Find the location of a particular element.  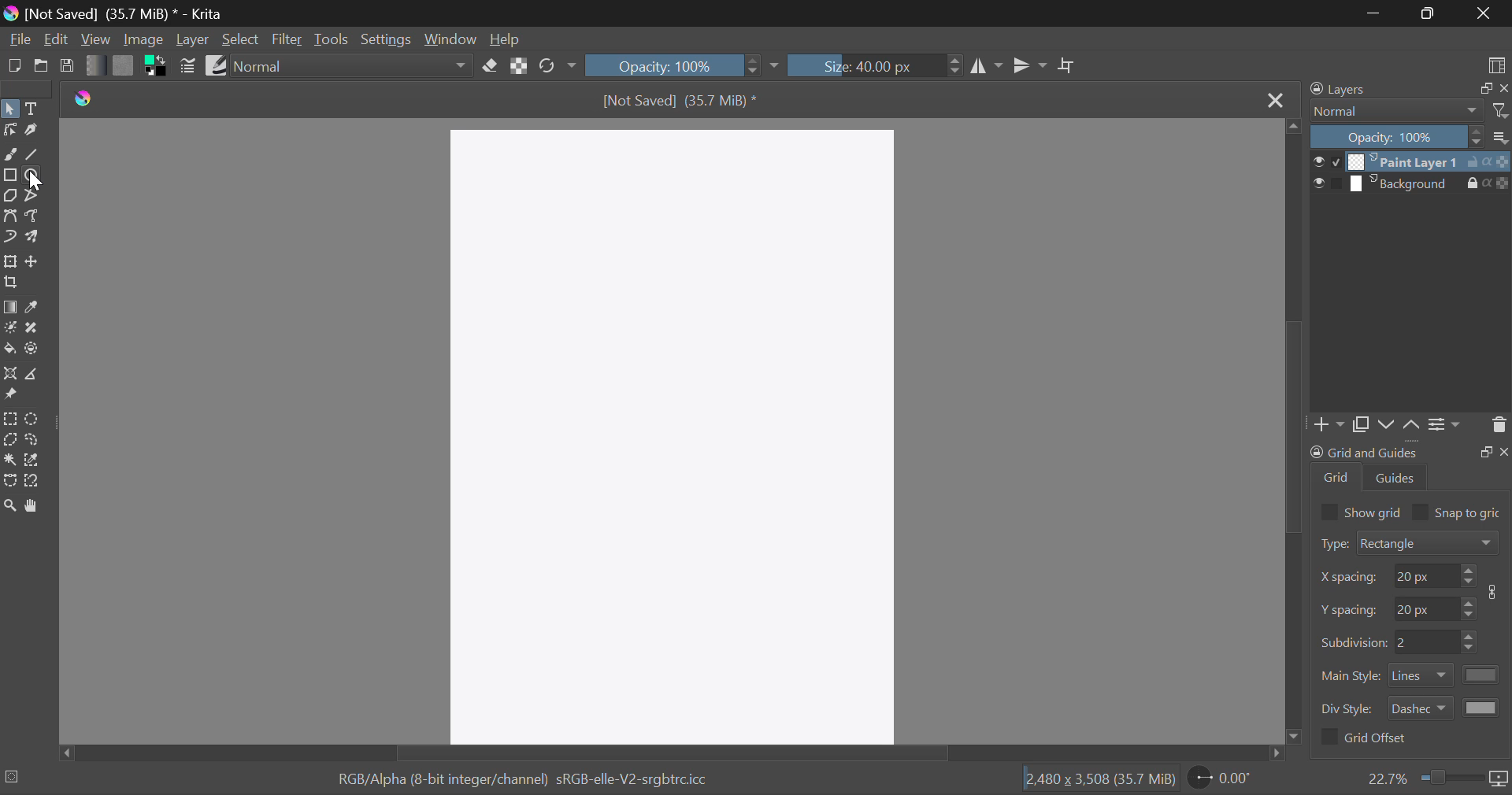

Vertical Mirror Flip is located at coordinates (988, 66).